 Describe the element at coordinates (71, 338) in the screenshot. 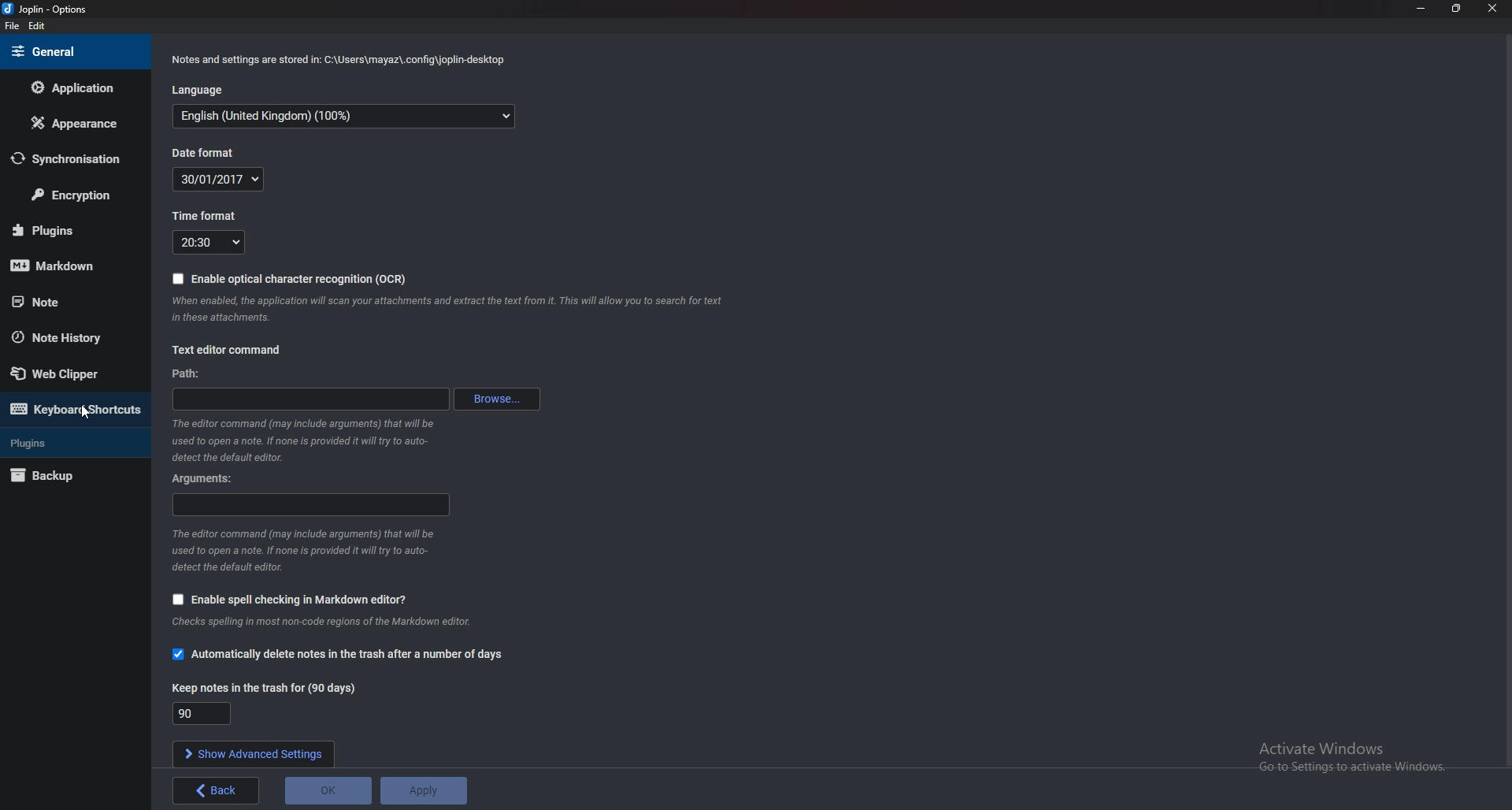

I see `Note history` at that location.